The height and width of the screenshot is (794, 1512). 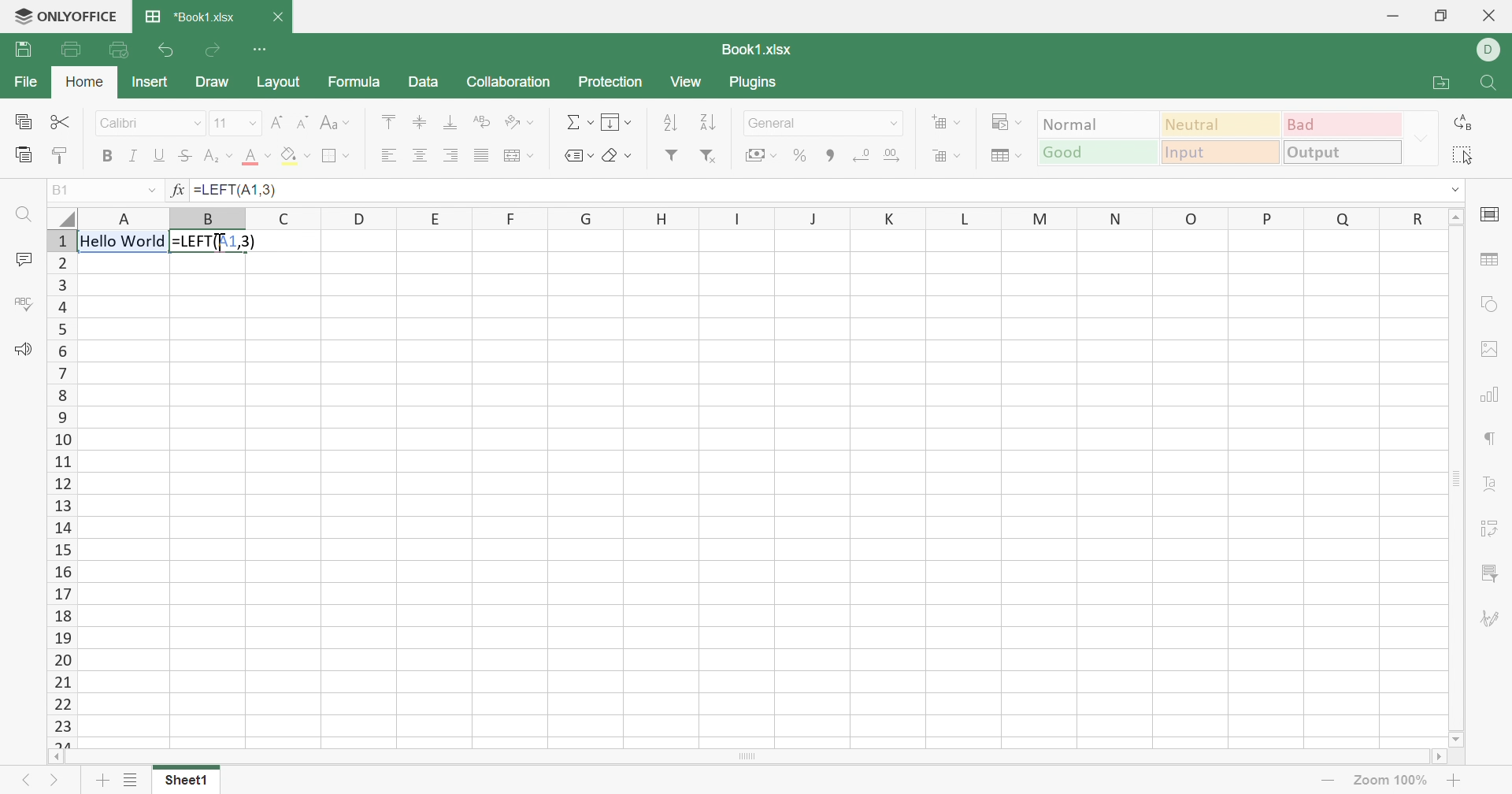 I want to click on Add sheet, so click(x=100, y=781).